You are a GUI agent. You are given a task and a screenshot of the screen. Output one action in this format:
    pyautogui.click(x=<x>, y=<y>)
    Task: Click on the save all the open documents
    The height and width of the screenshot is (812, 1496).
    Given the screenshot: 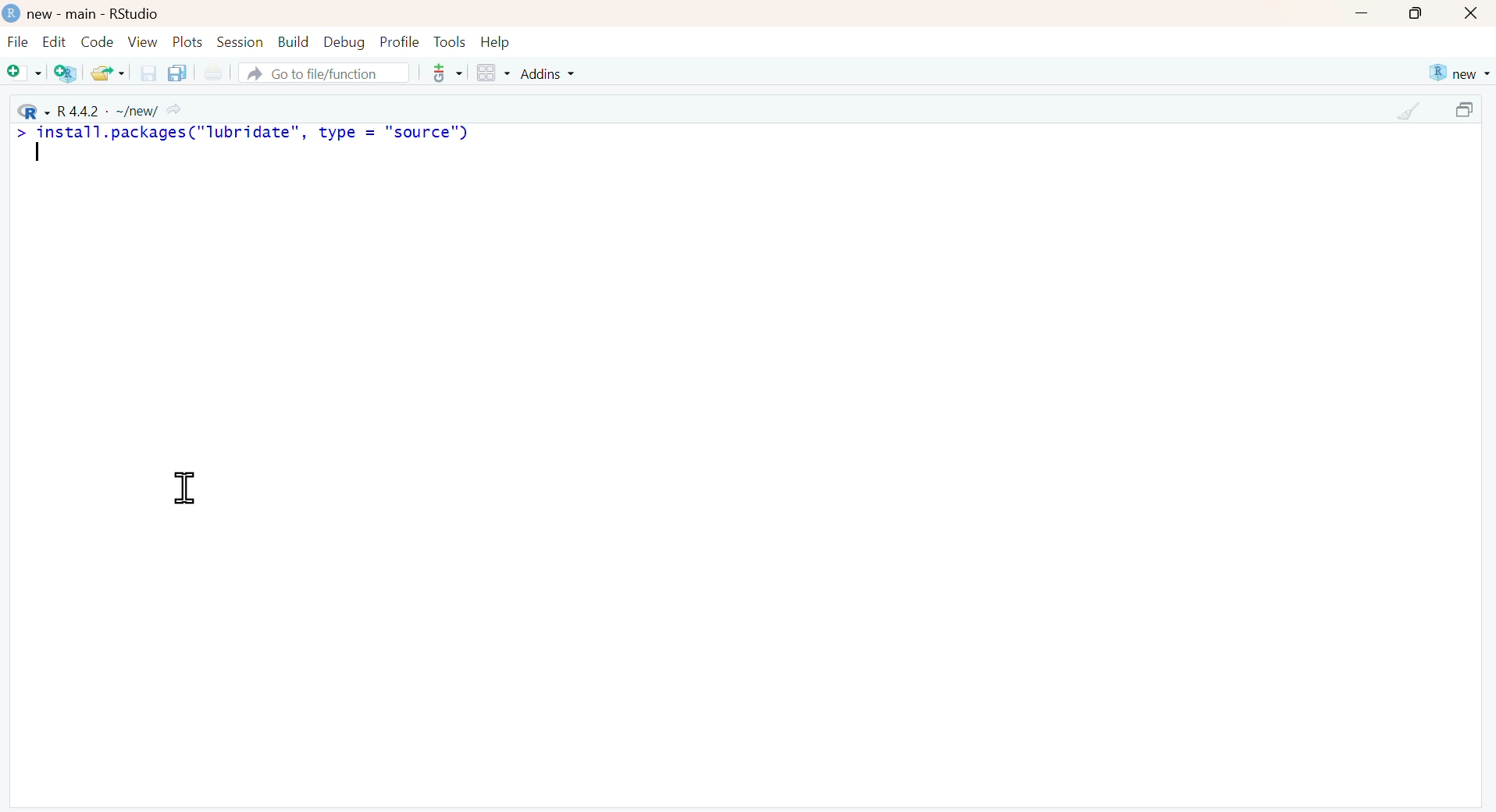 What is the action you would take?
    pyautogui.click(x=176, y=72)
    